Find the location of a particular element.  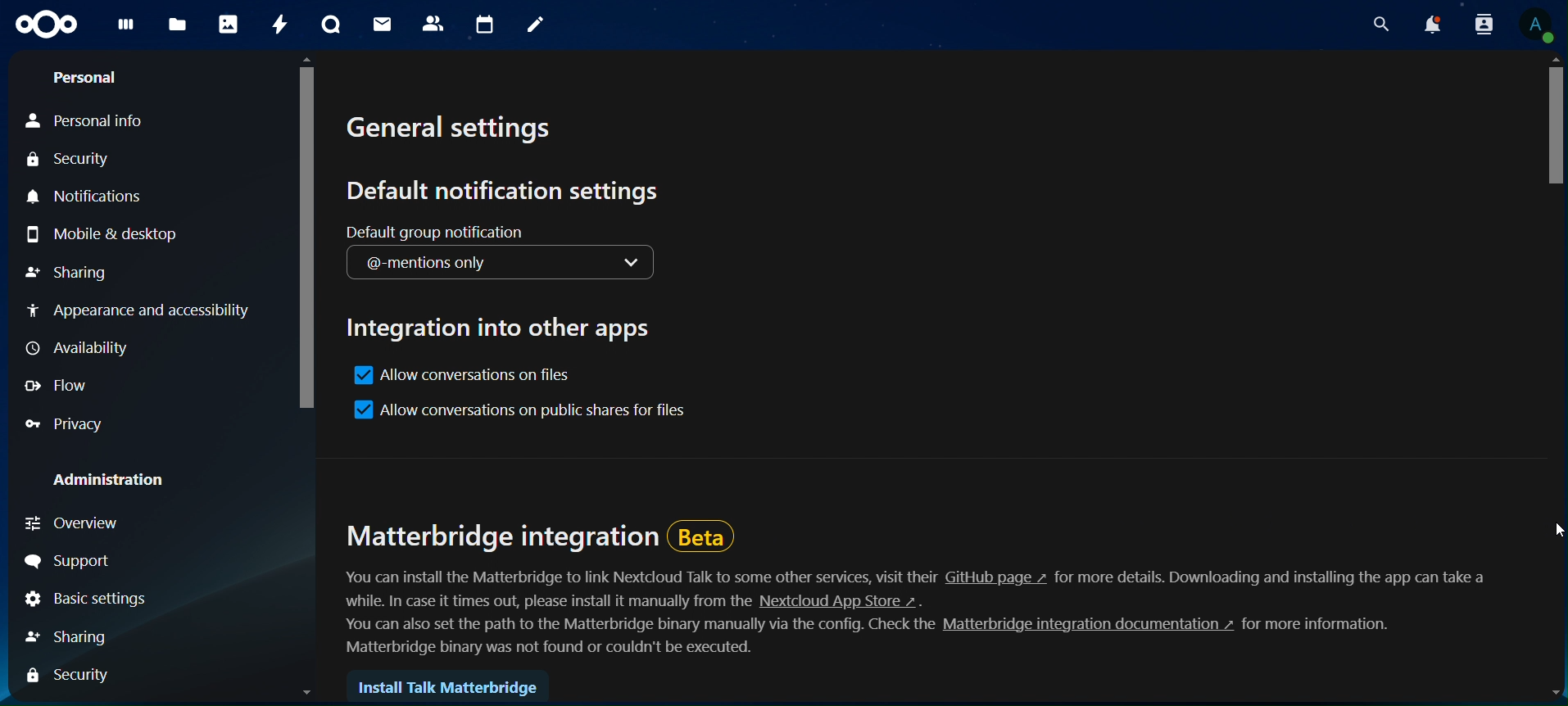

talk is located at coordinates (331, 25).